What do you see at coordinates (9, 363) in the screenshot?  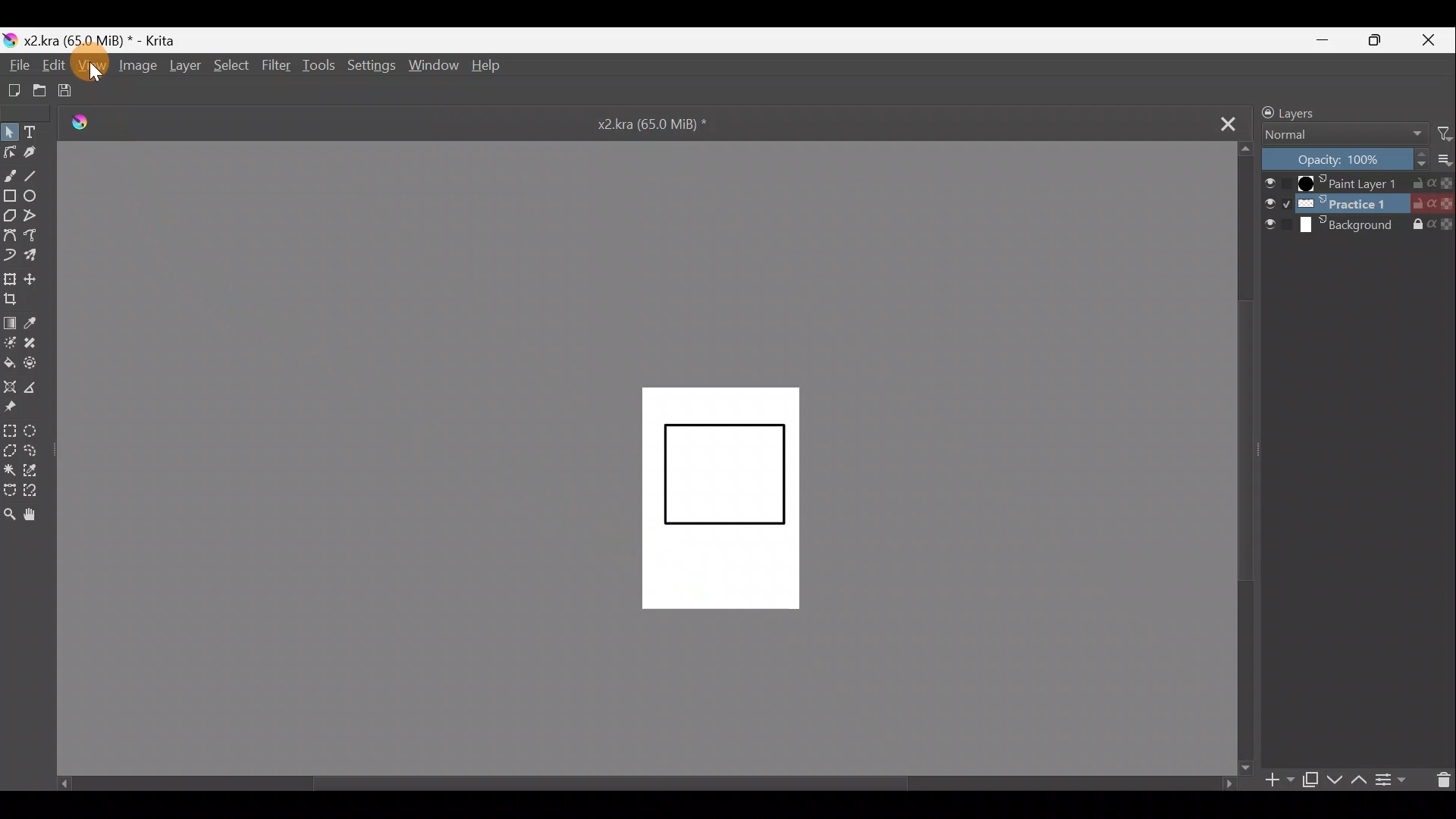 I see `Fill a contiguous area of colour with colour/fill a selection` at bounding box center [9, 363].